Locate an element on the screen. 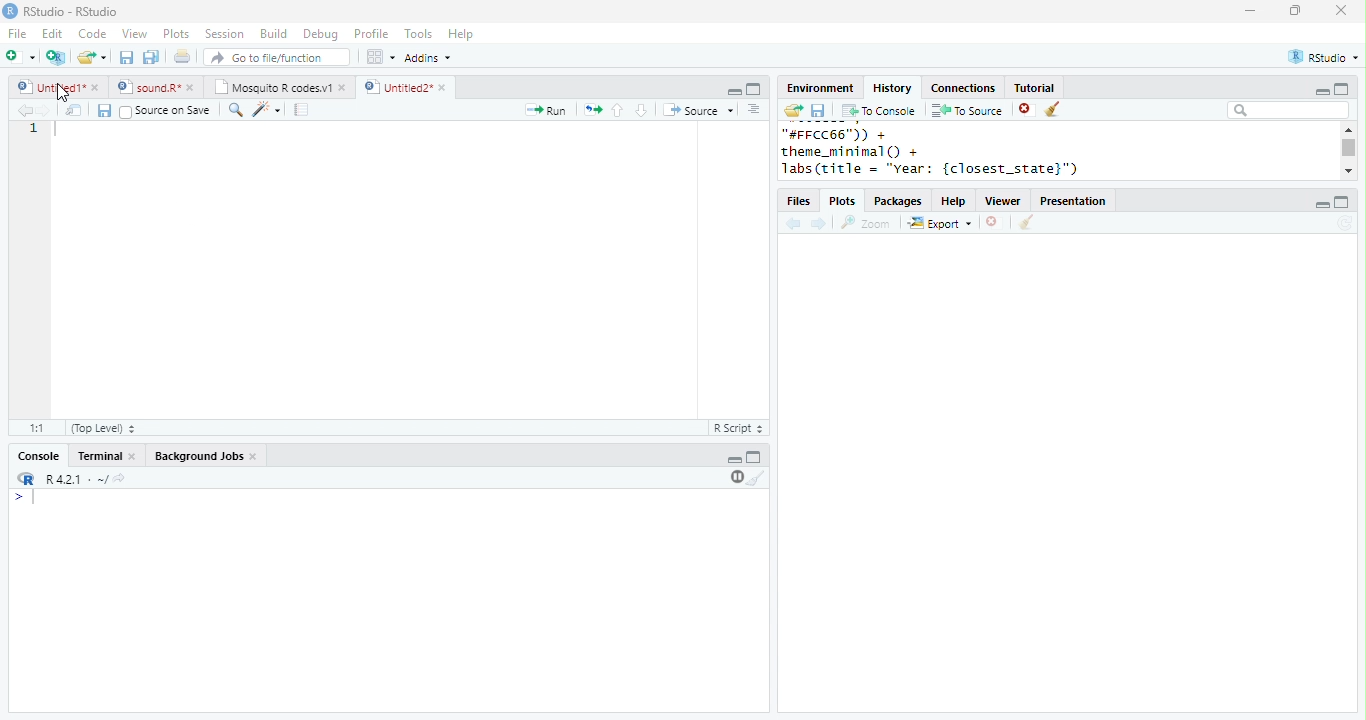  R.4.2.1 . ~ is located at coordinates (75, 478).